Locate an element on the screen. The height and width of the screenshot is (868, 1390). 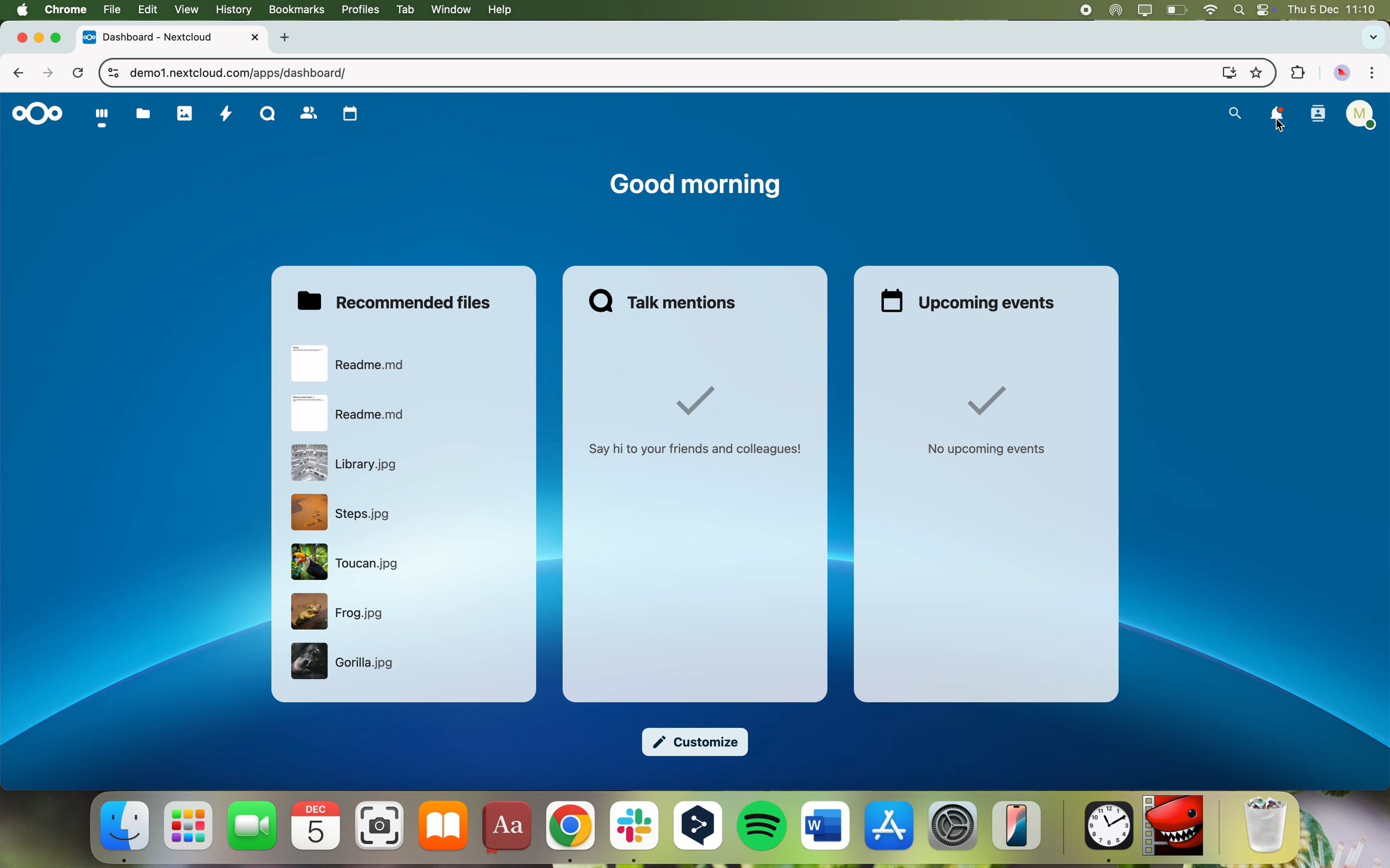
file is located at coordinates (352, 363).